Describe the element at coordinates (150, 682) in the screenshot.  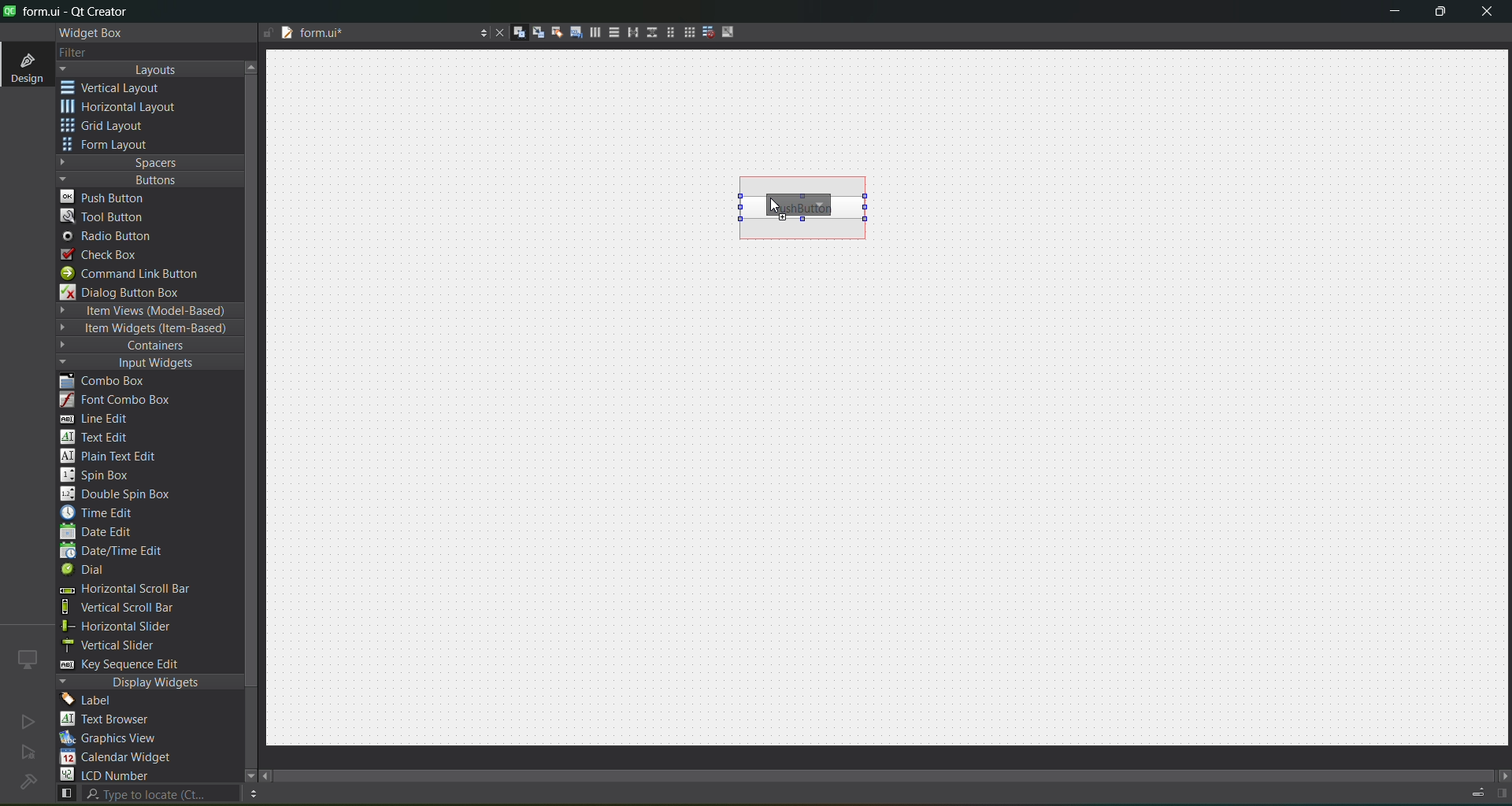
I see `display widgets` at that location.